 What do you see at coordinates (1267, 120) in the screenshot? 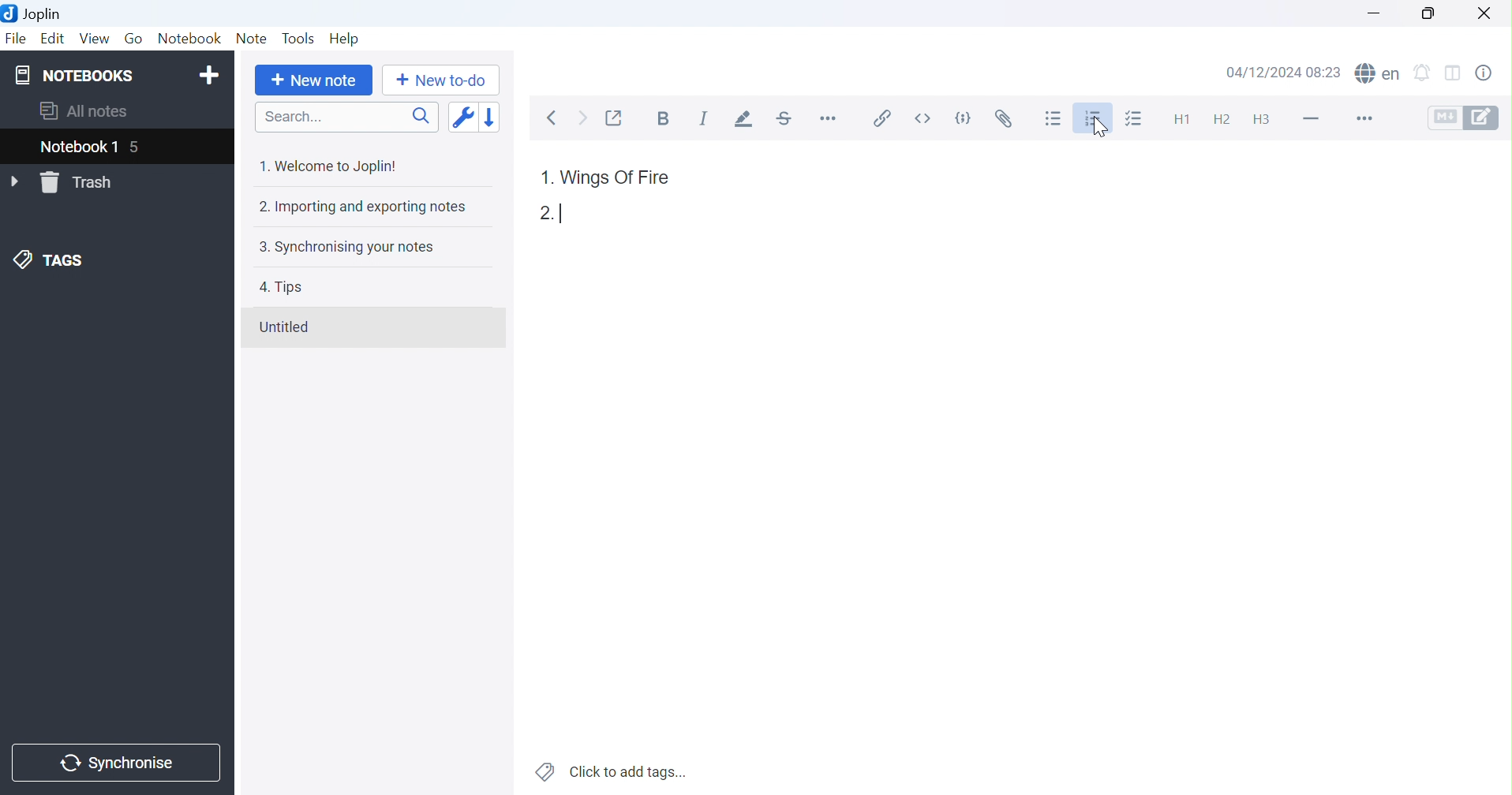
I see `Heading 3` at bounding box center [1267, 120].